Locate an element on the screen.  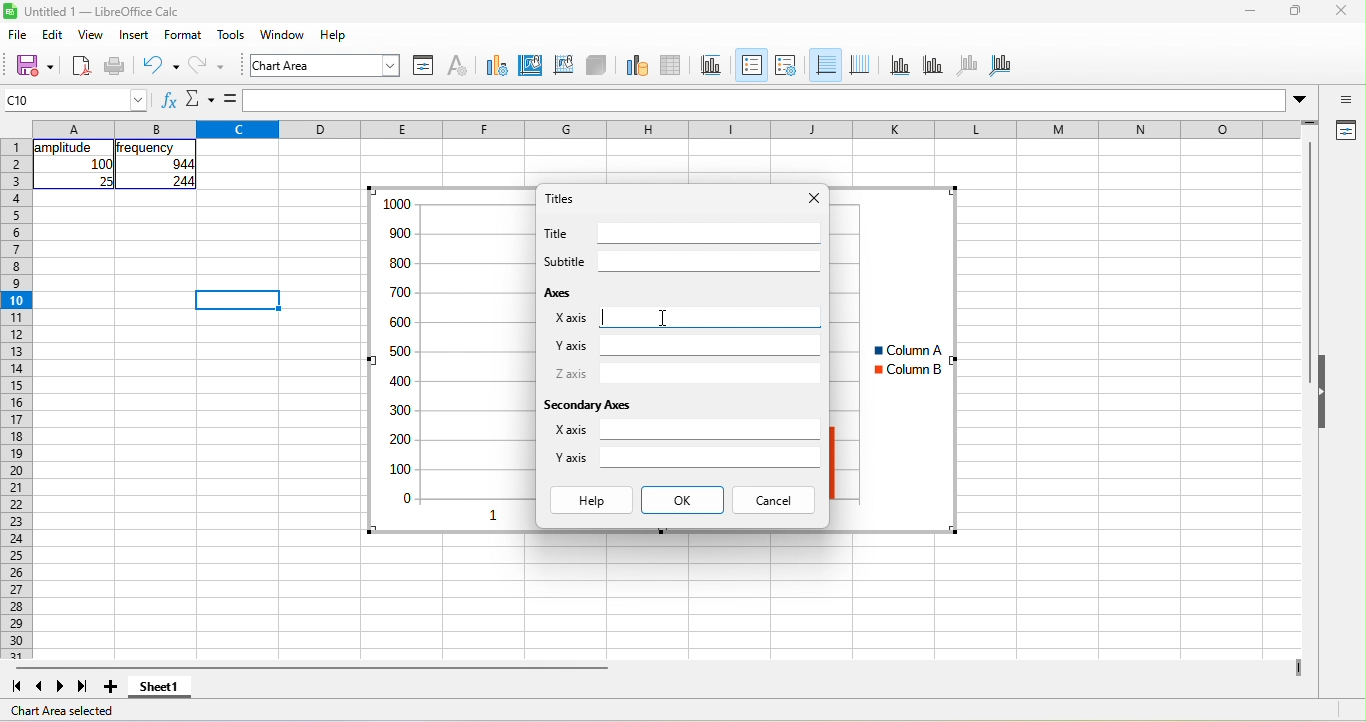
legend is located at coordinates (786, 66).